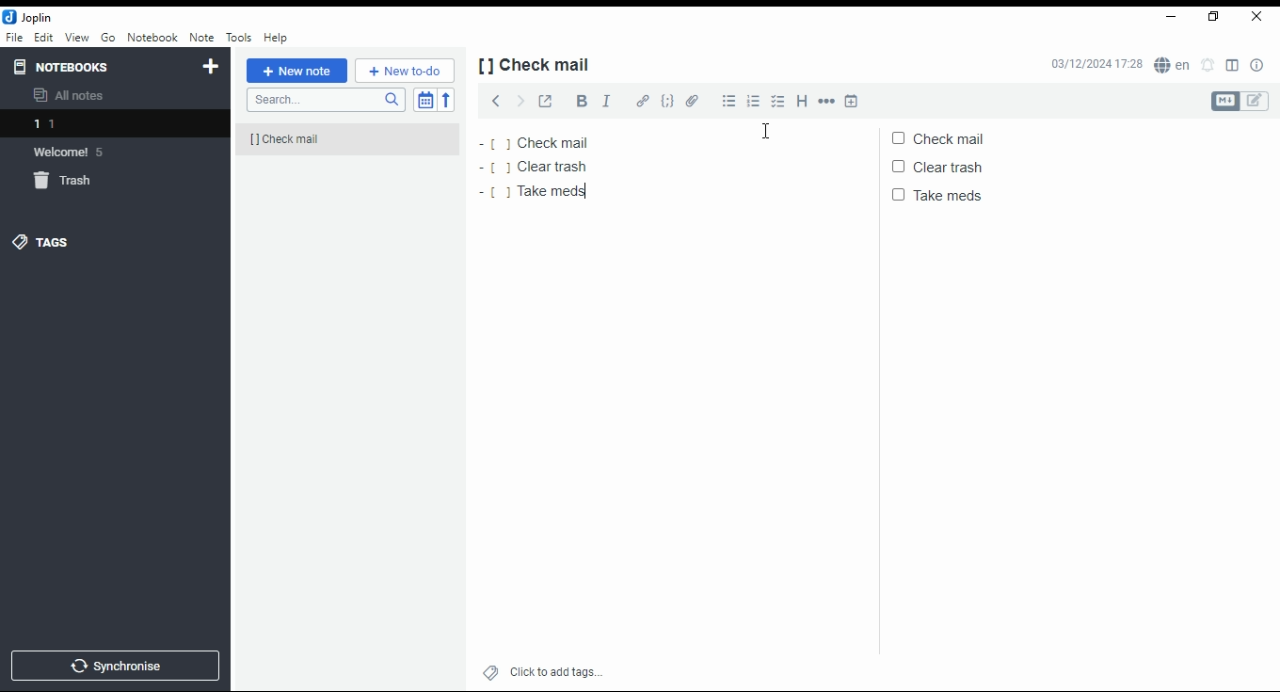 The height and width of the screenshot is (692, 1280). Describe the element at coordinates (827, 101) in the screenshot. I see `horizontal rule` at that location.